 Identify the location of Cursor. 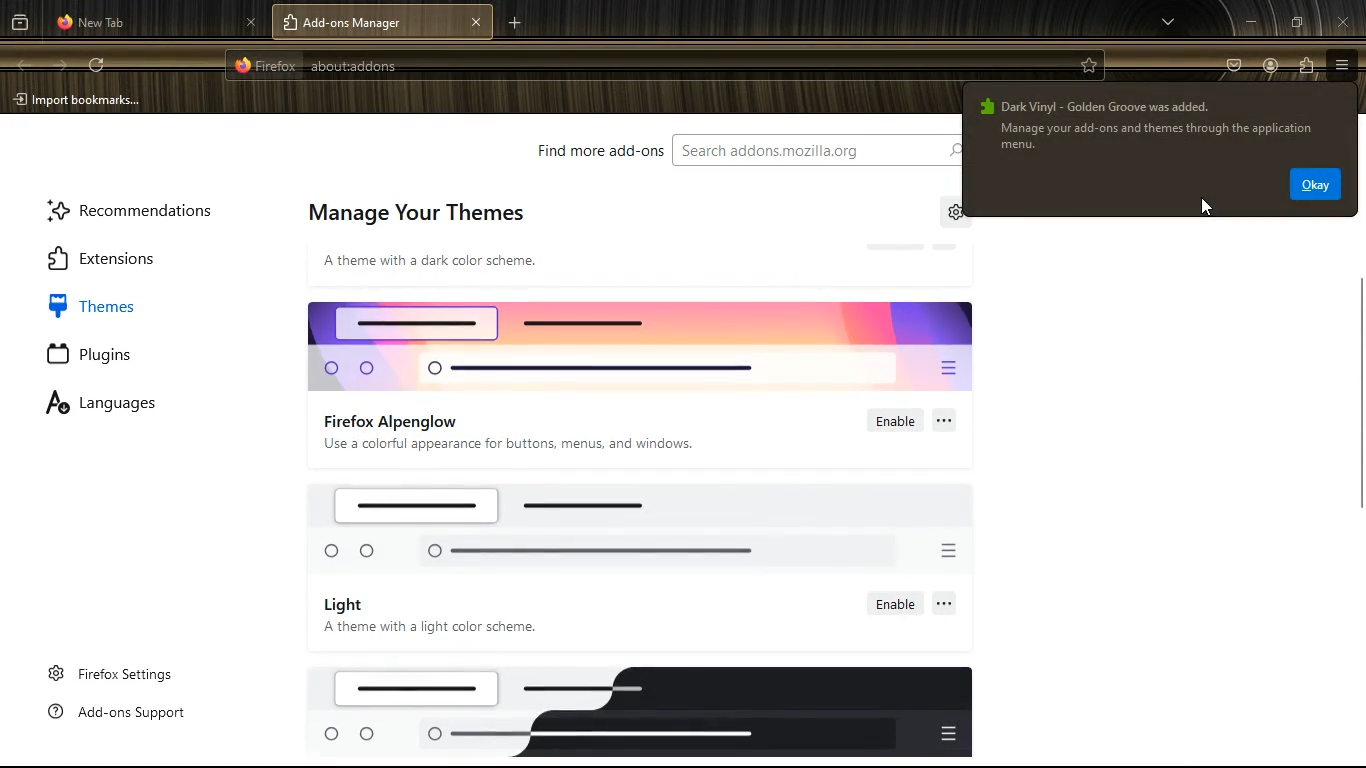
(1207, 207).